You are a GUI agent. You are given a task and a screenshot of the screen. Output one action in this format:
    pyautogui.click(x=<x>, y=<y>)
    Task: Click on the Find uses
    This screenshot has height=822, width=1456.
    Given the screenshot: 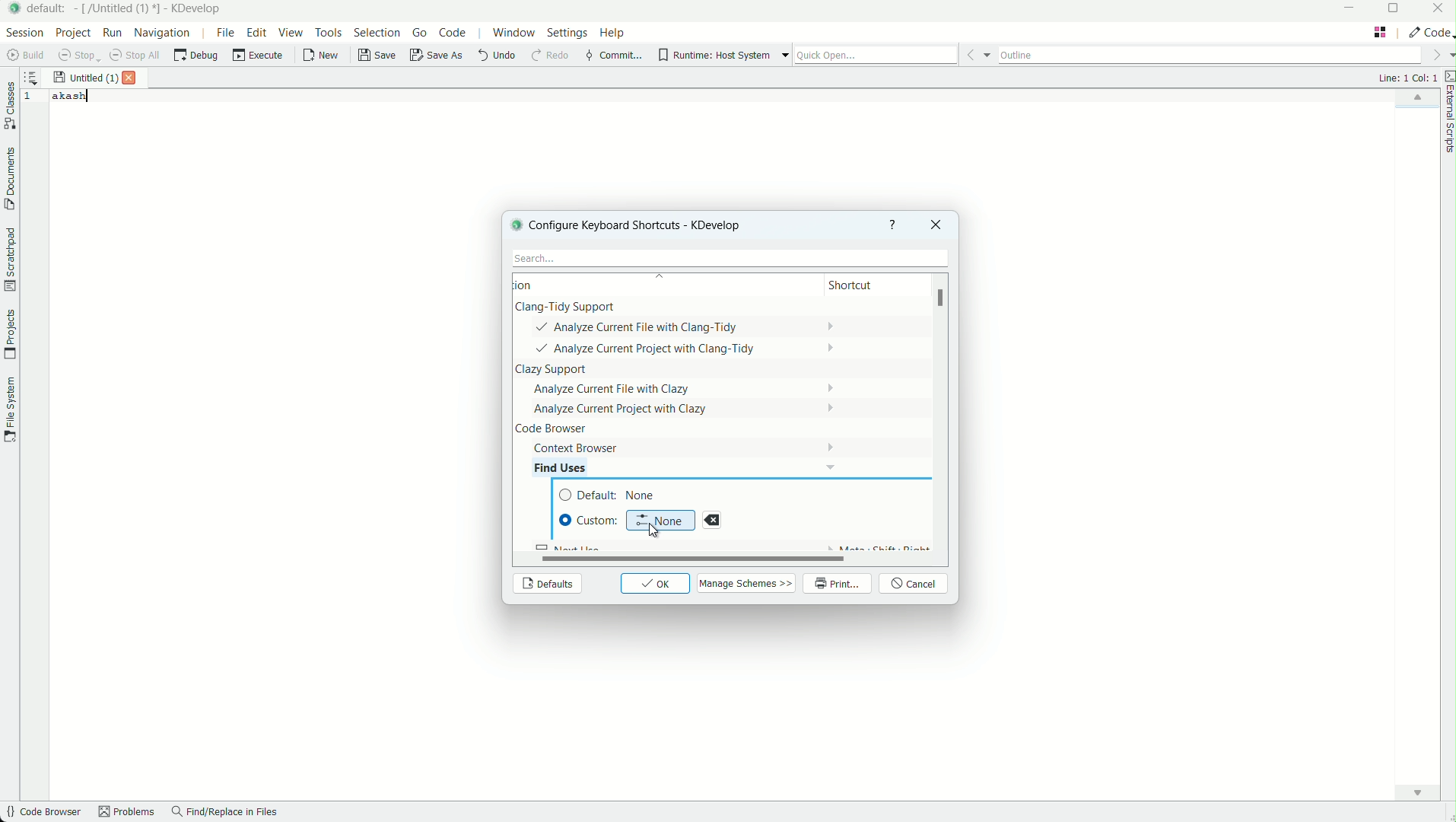 What is the action you would take?
    pyautogui.click(x=572, y=467)
    